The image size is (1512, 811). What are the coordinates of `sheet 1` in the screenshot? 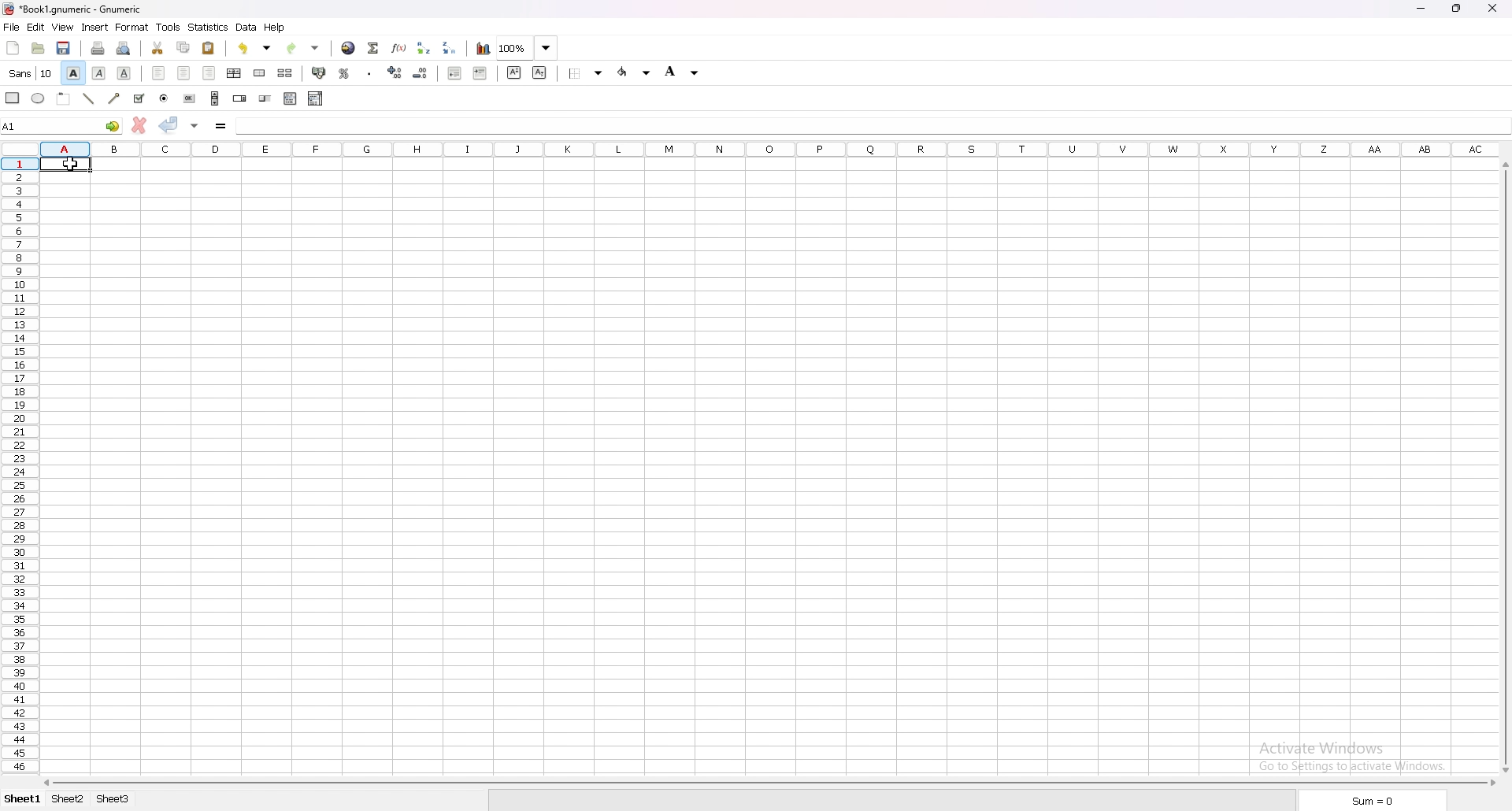 It's located at (24, 800).